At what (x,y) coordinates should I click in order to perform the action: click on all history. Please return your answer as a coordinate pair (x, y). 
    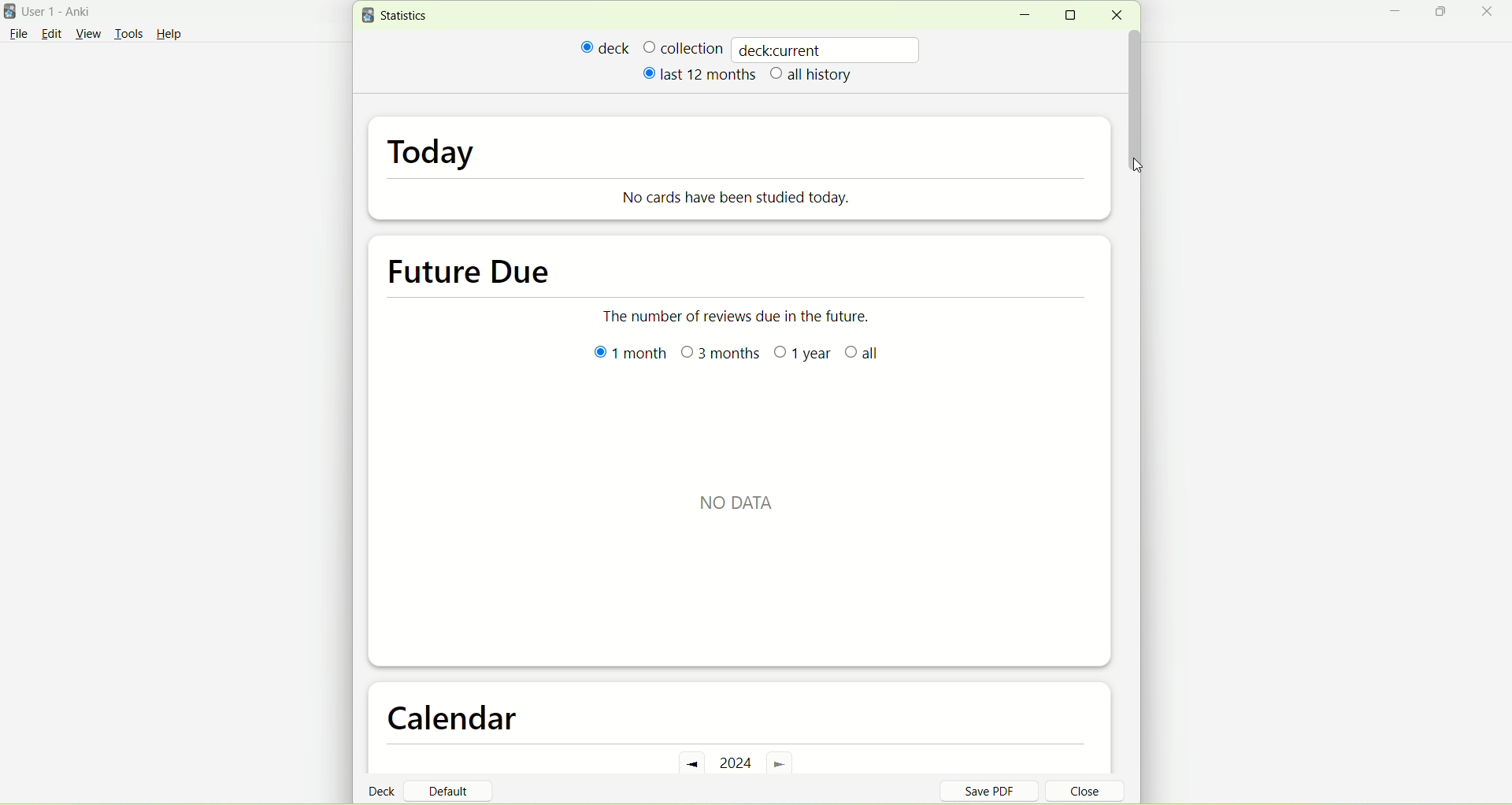
    Looking at the image, I should click on (812, 76).